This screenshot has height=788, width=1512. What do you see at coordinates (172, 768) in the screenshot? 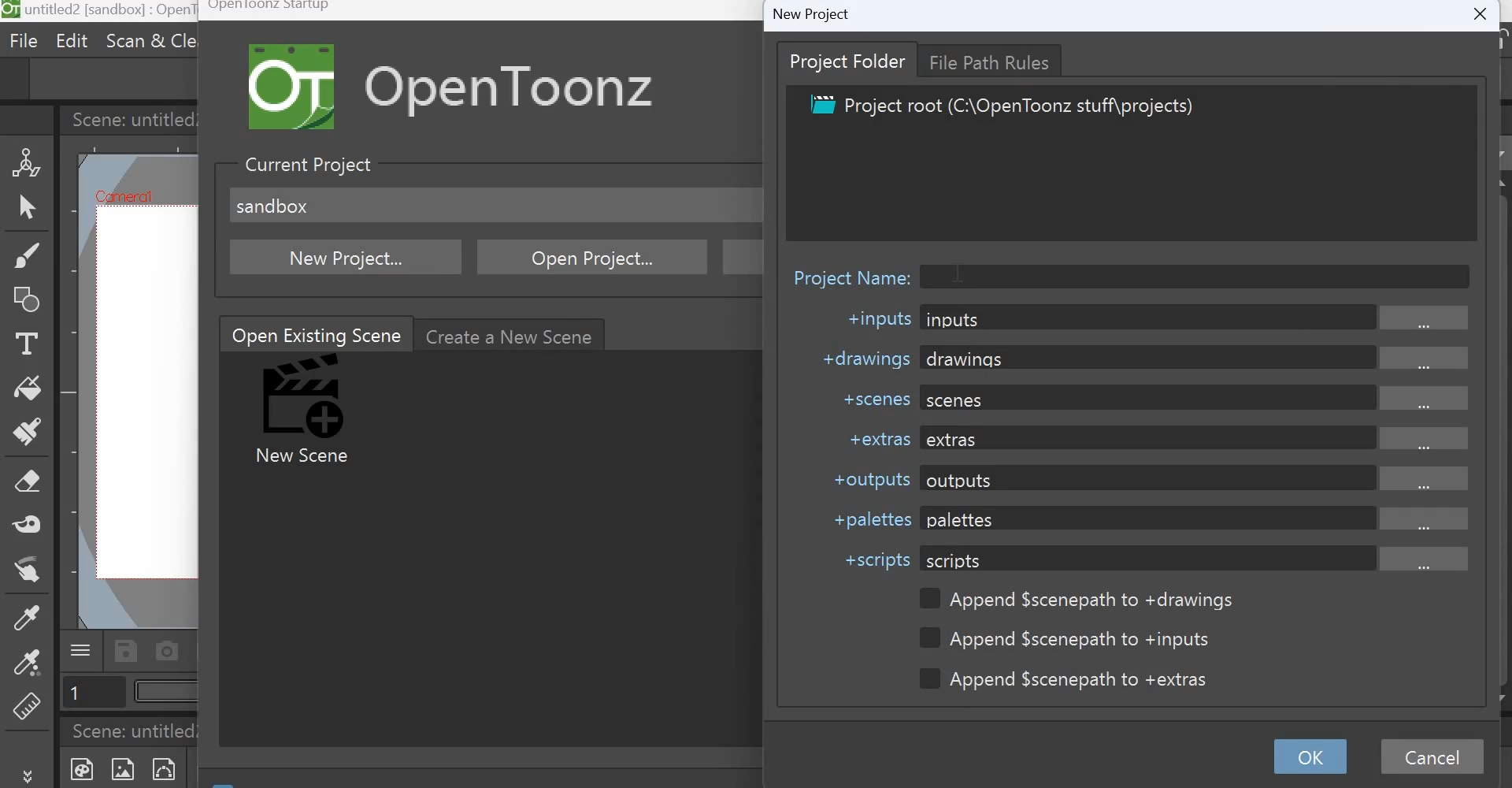
I see `New Vector level` at bounding box center [172, 768].